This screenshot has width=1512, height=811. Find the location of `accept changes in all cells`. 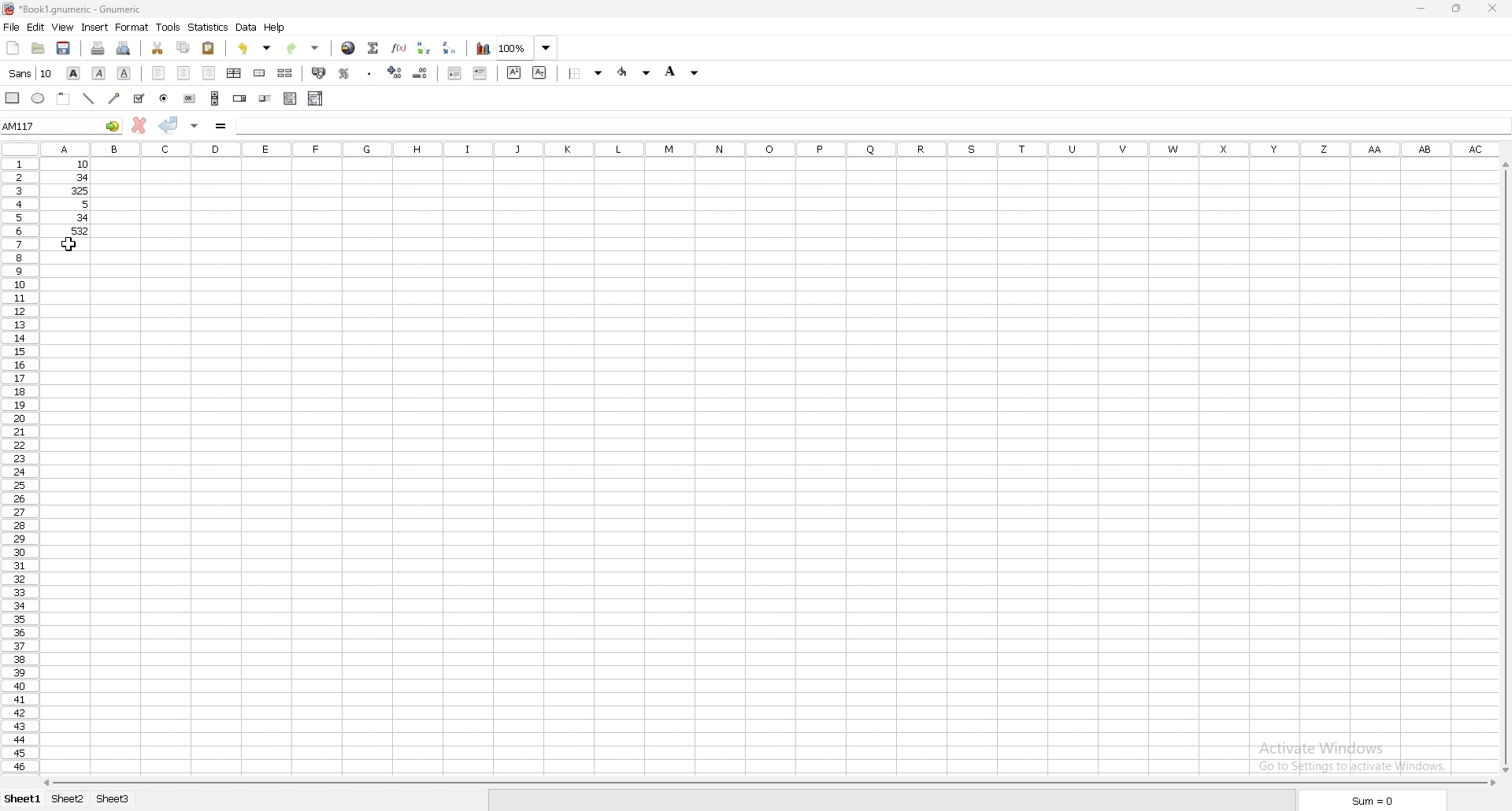

accept changes in all cells is located at coordinates (194, 124).